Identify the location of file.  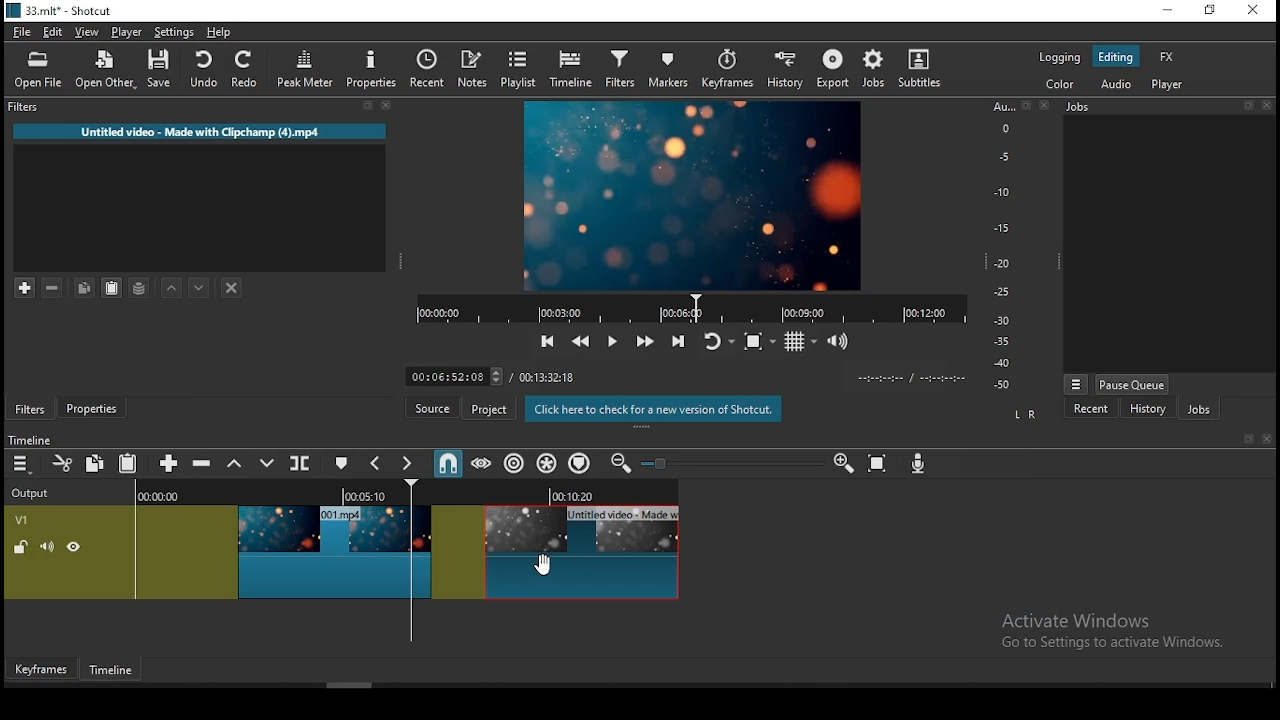
(23, 32).